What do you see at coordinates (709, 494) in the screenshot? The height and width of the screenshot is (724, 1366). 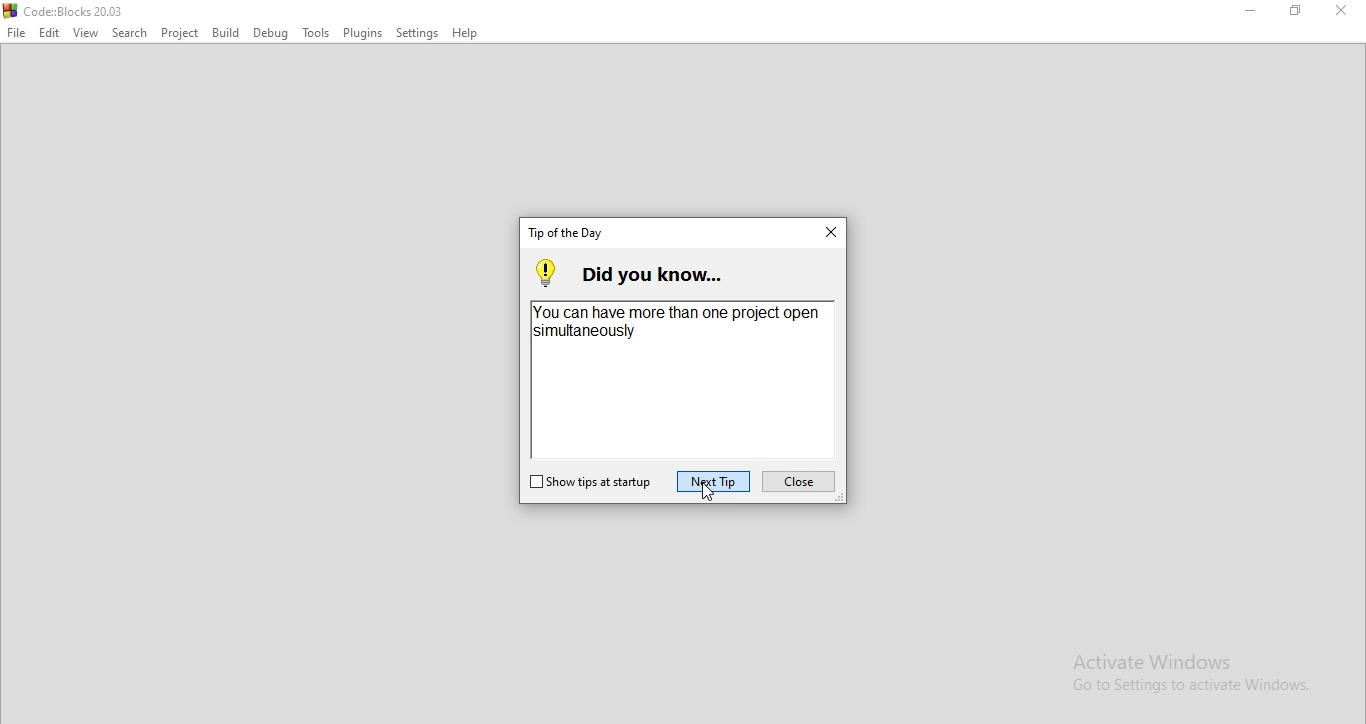 I see `cursor on Next Tip` at bounding box center [709, 494].